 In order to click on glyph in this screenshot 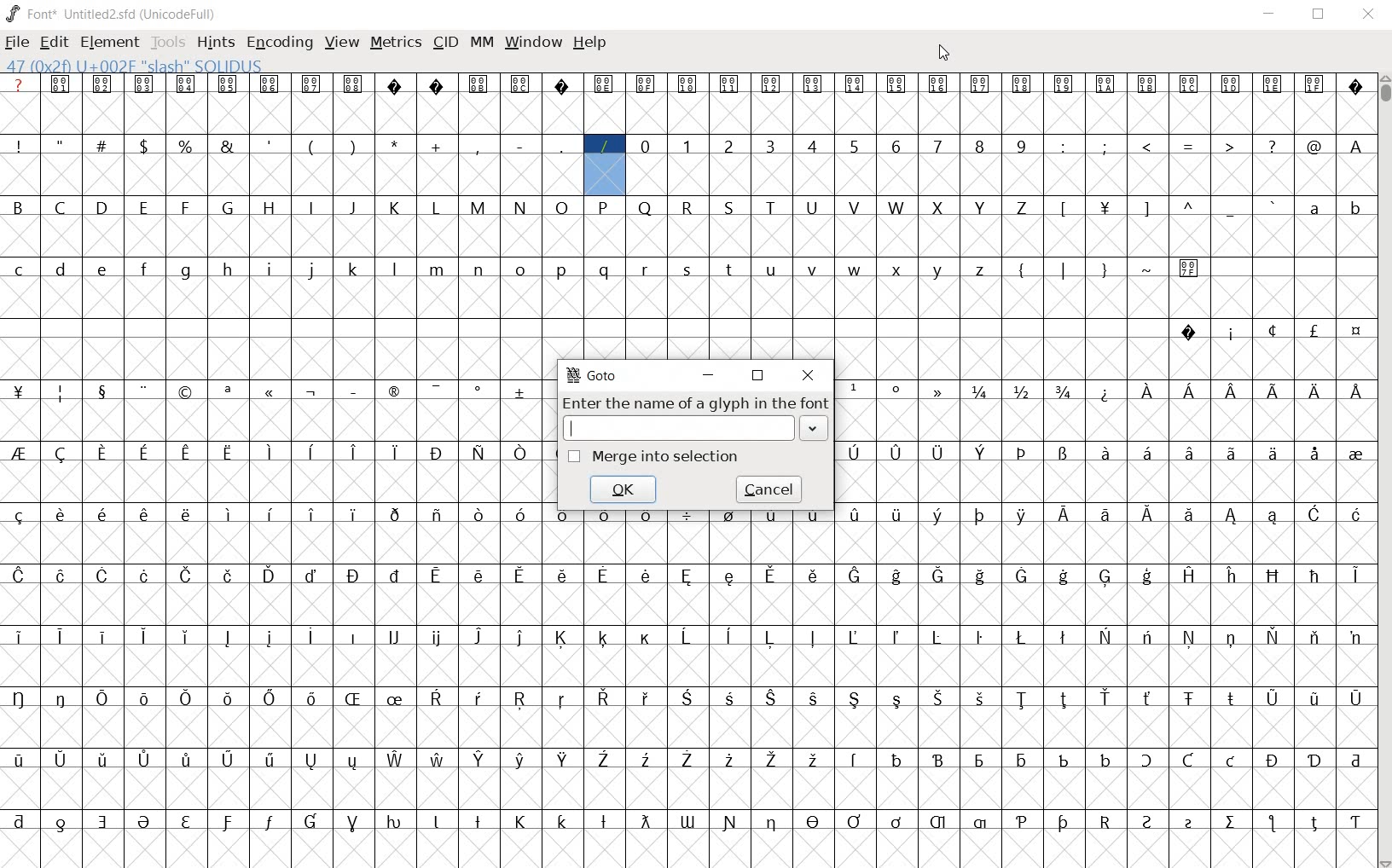, I will do `click(1314, 330)`.